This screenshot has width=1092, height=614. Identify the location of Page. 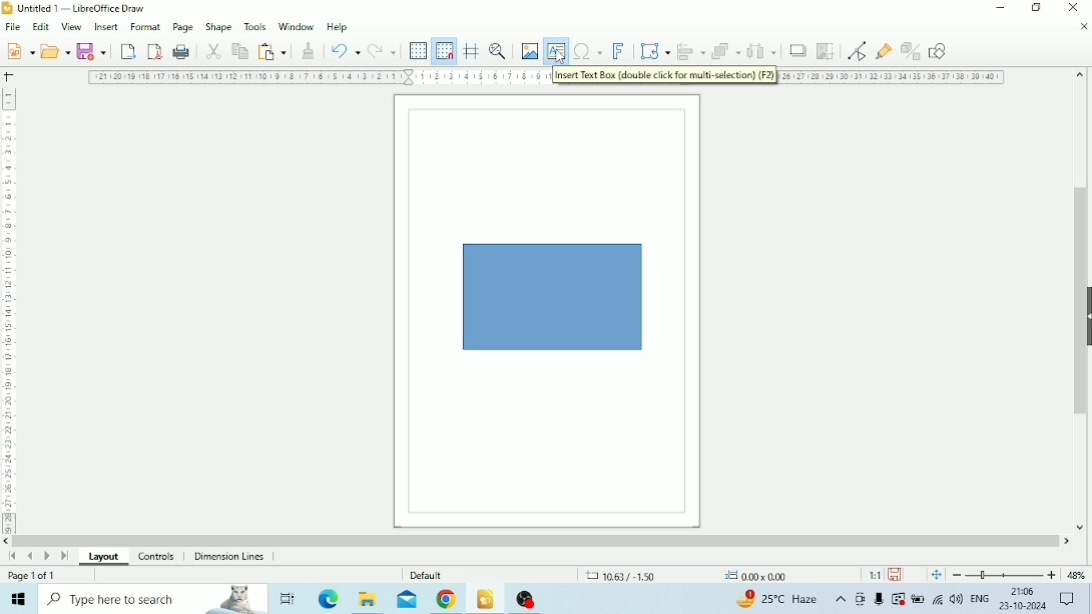
(182, 26).